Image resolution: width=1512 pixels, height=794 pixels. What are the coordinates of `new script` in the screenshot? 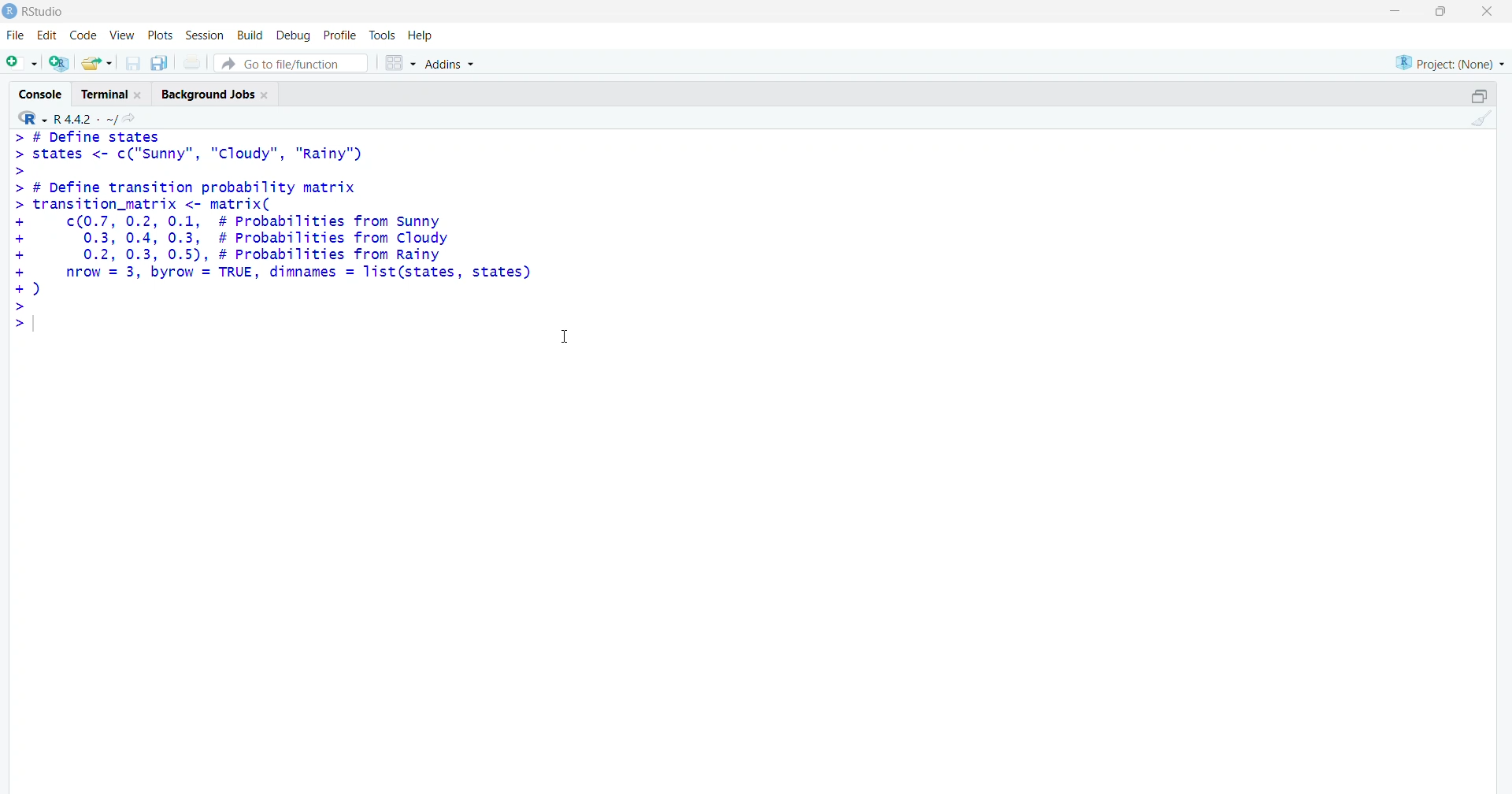 It's located at (21, 62).